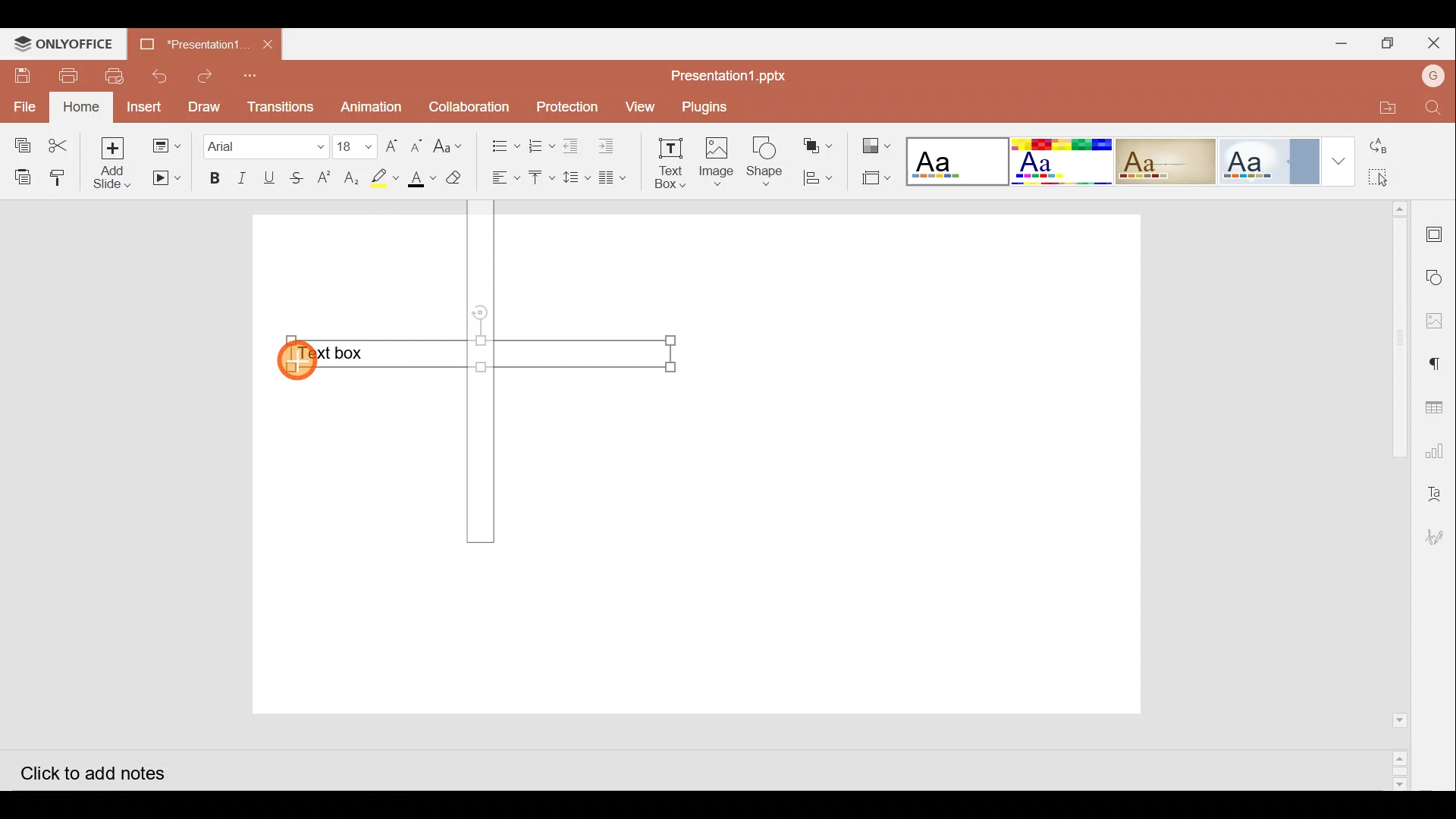 The width and height of the screenshot is (1456, 819). Describe the element at coordinates (1432, 74) in the screenshot. I see `Account name` at that location.